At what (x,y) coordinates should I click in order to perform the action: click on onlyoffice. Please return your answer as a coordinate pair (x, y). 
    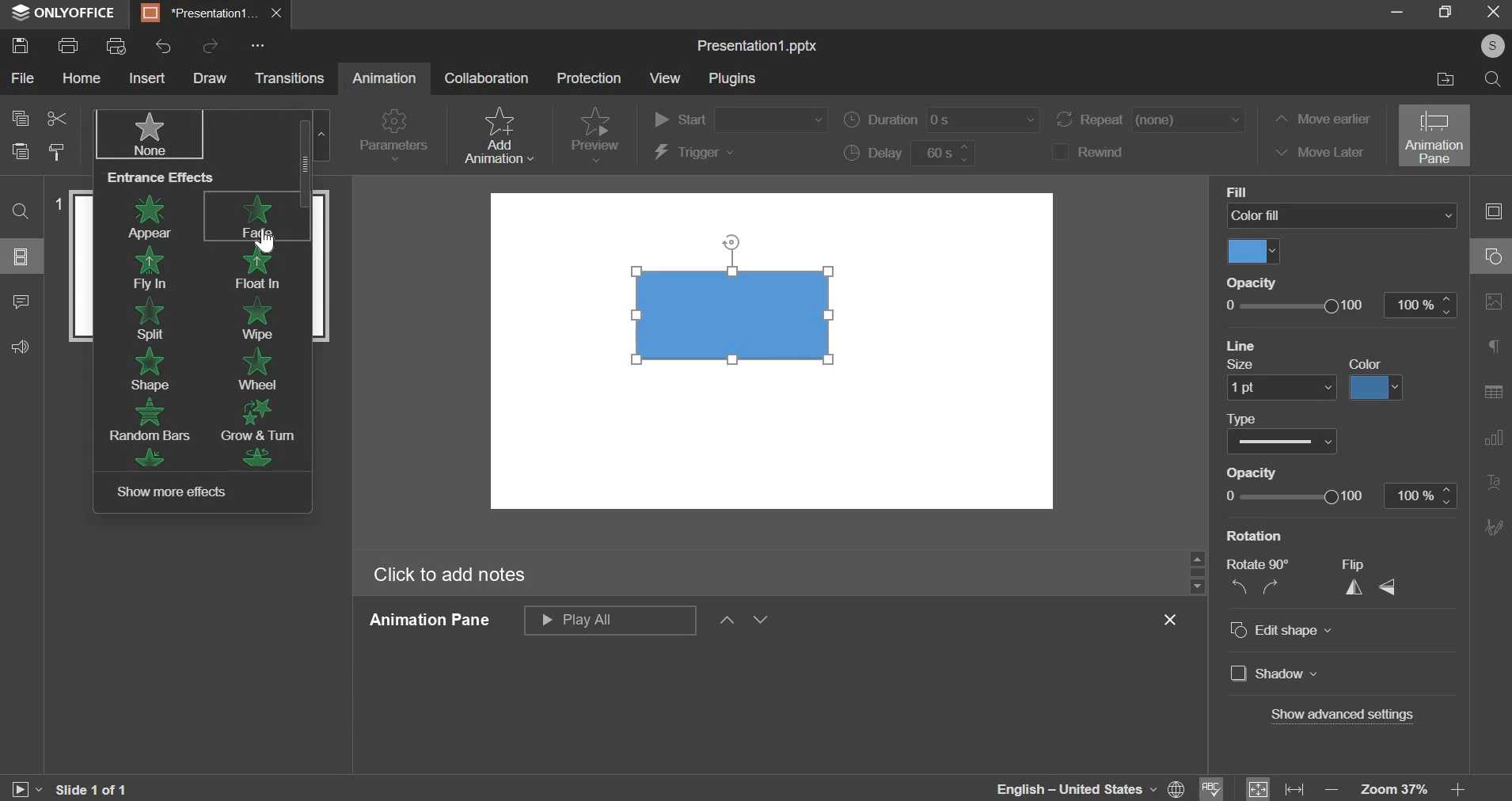
    Looking at the image, I should click on (63, 13).